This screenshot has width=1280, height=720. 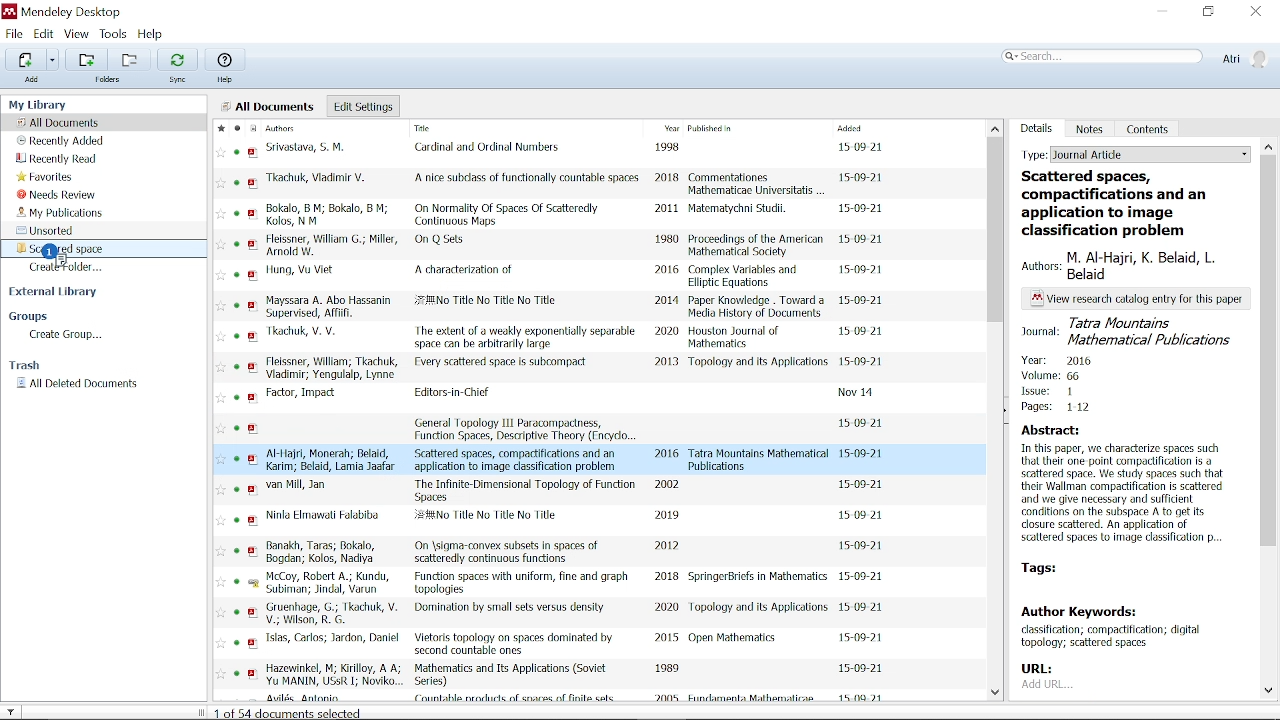 I want to click on Folder "Scattered space", so click(x=70, y=248).